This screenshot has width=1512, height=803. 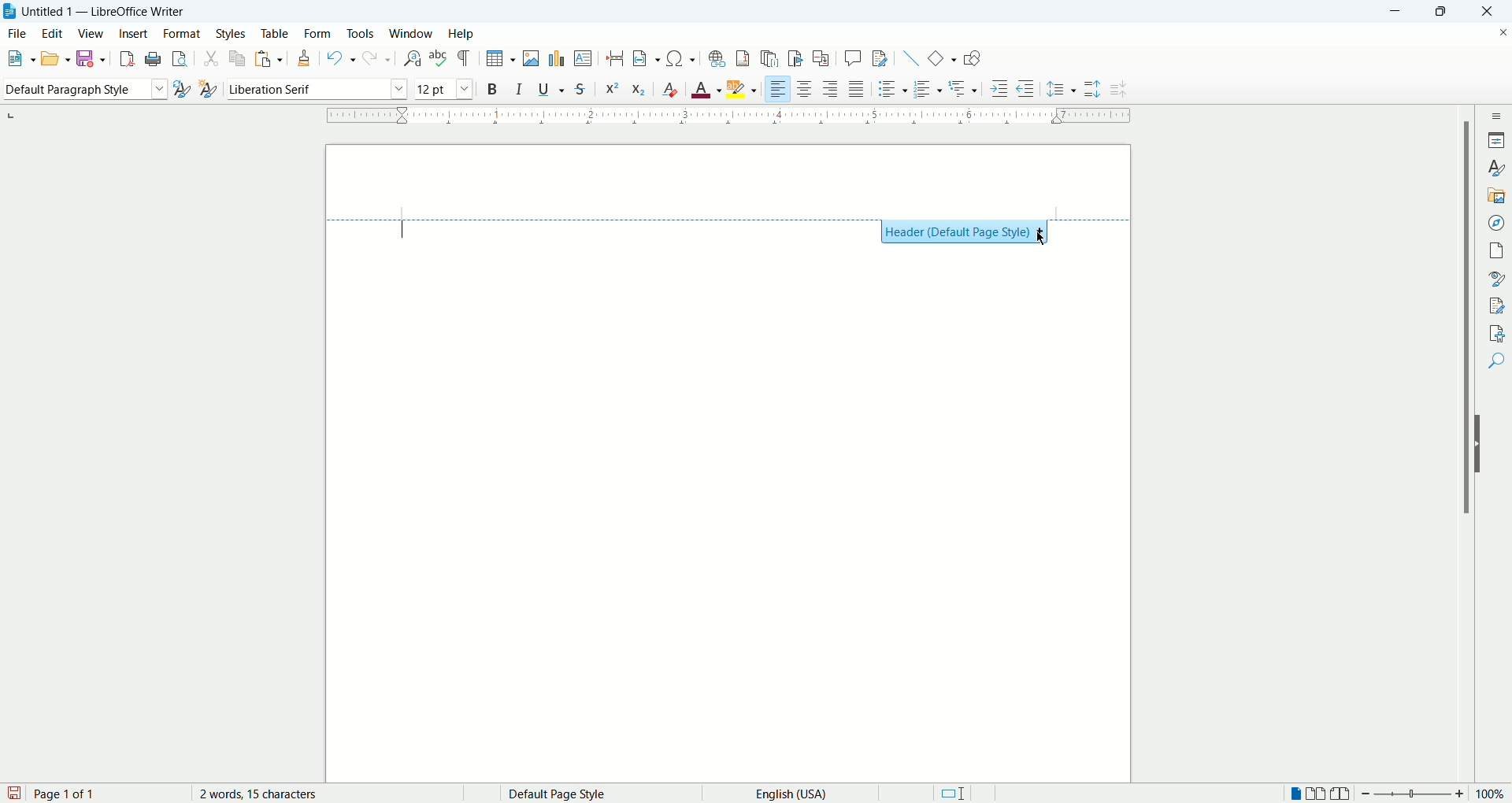 I want to click on basic shapes, so click(x=940, y=58).